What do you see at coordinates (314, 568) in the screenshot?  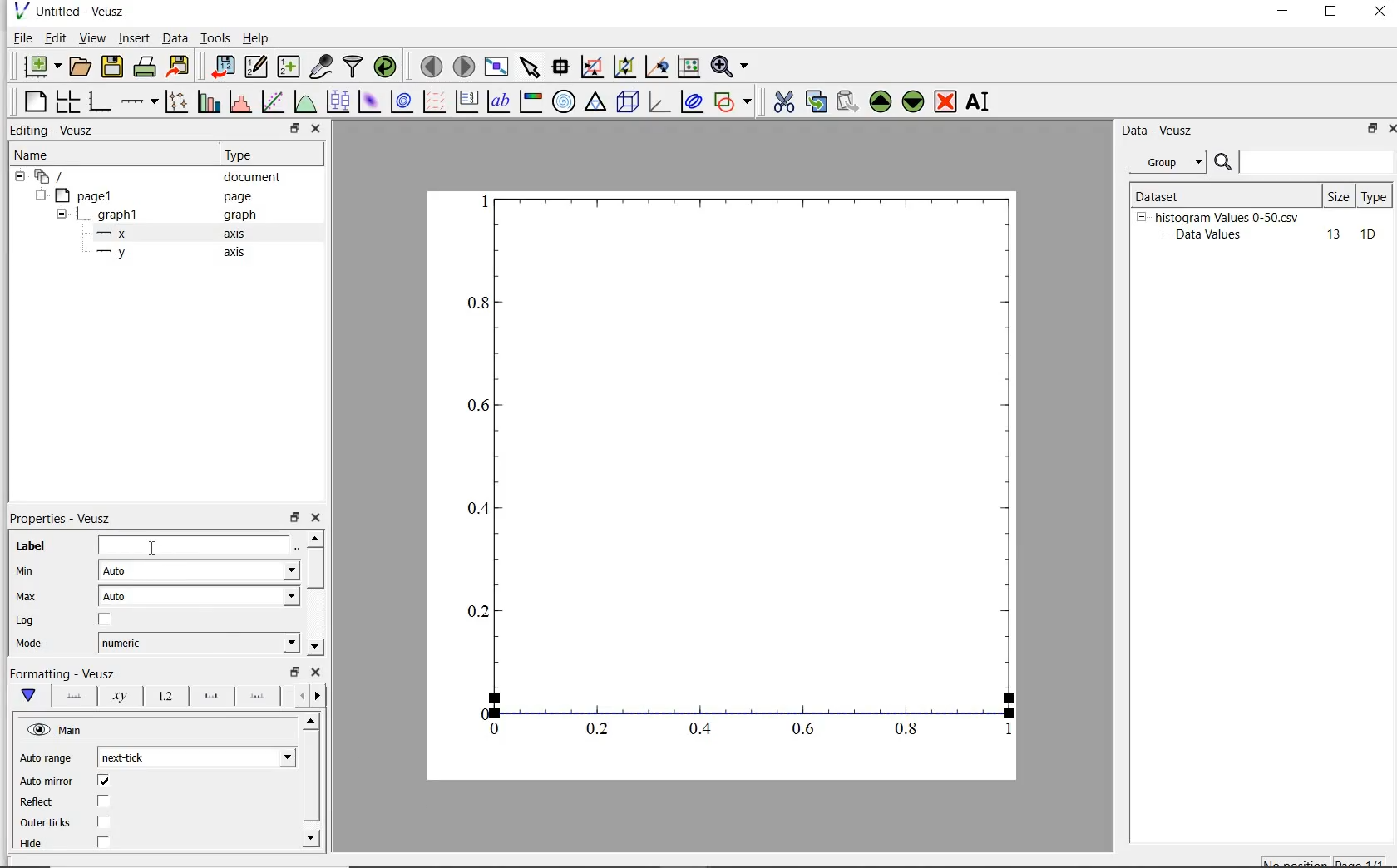 I see `vertical scrollbar` at bounding box center [314, 568].